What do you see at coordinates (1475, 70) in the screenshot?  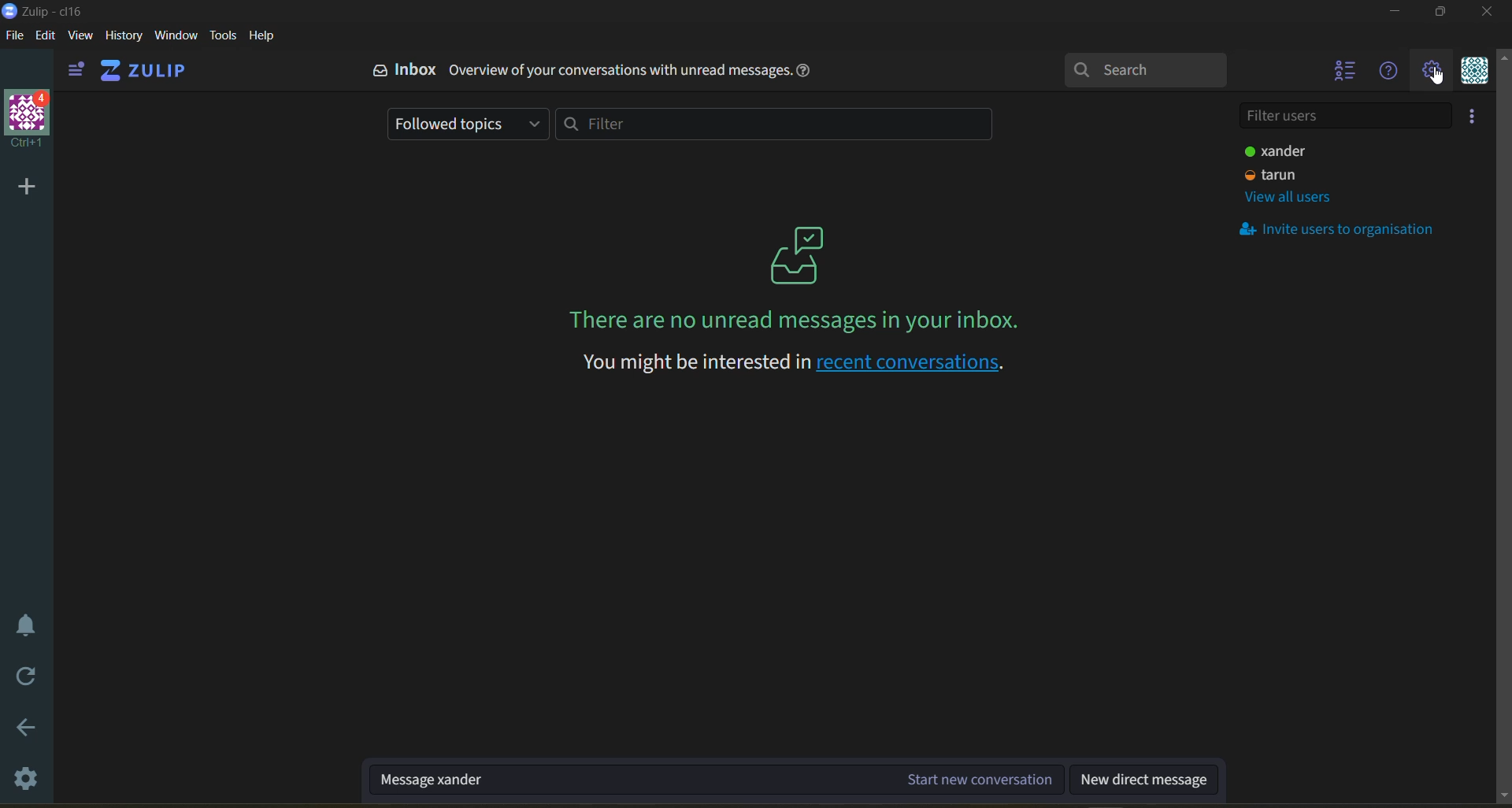 I see `personal menu` at bounding box center [1475, 70].